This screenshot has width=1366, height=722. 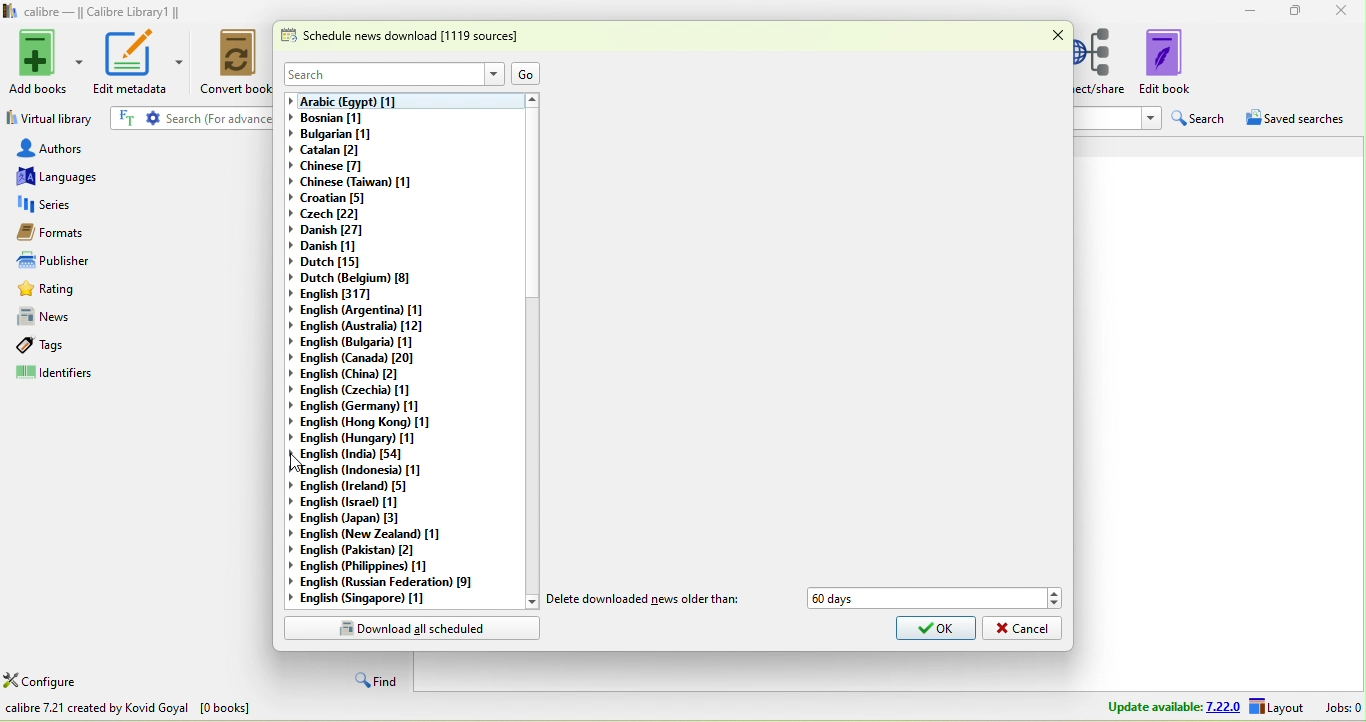 I want to click on virtual library, so click(x=51, y=117).